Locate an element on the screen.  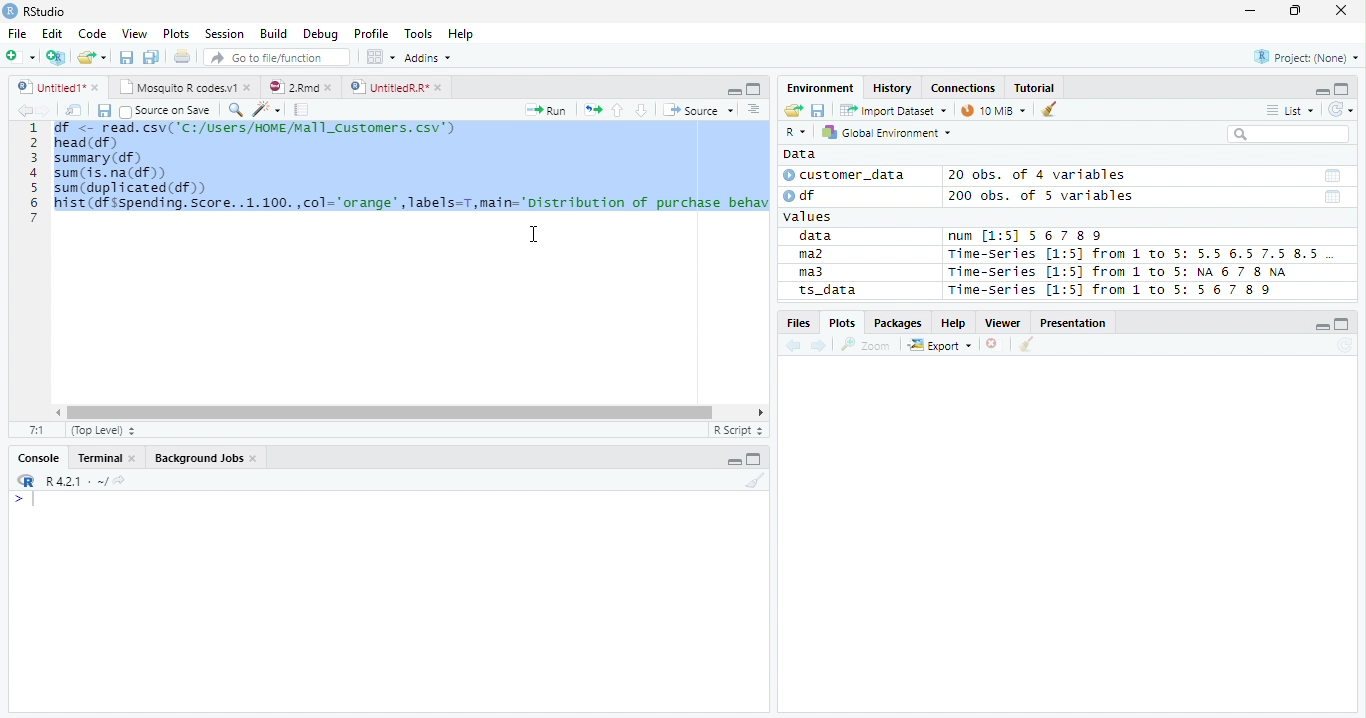
2.Rmd is located at coordinates (302, 88).